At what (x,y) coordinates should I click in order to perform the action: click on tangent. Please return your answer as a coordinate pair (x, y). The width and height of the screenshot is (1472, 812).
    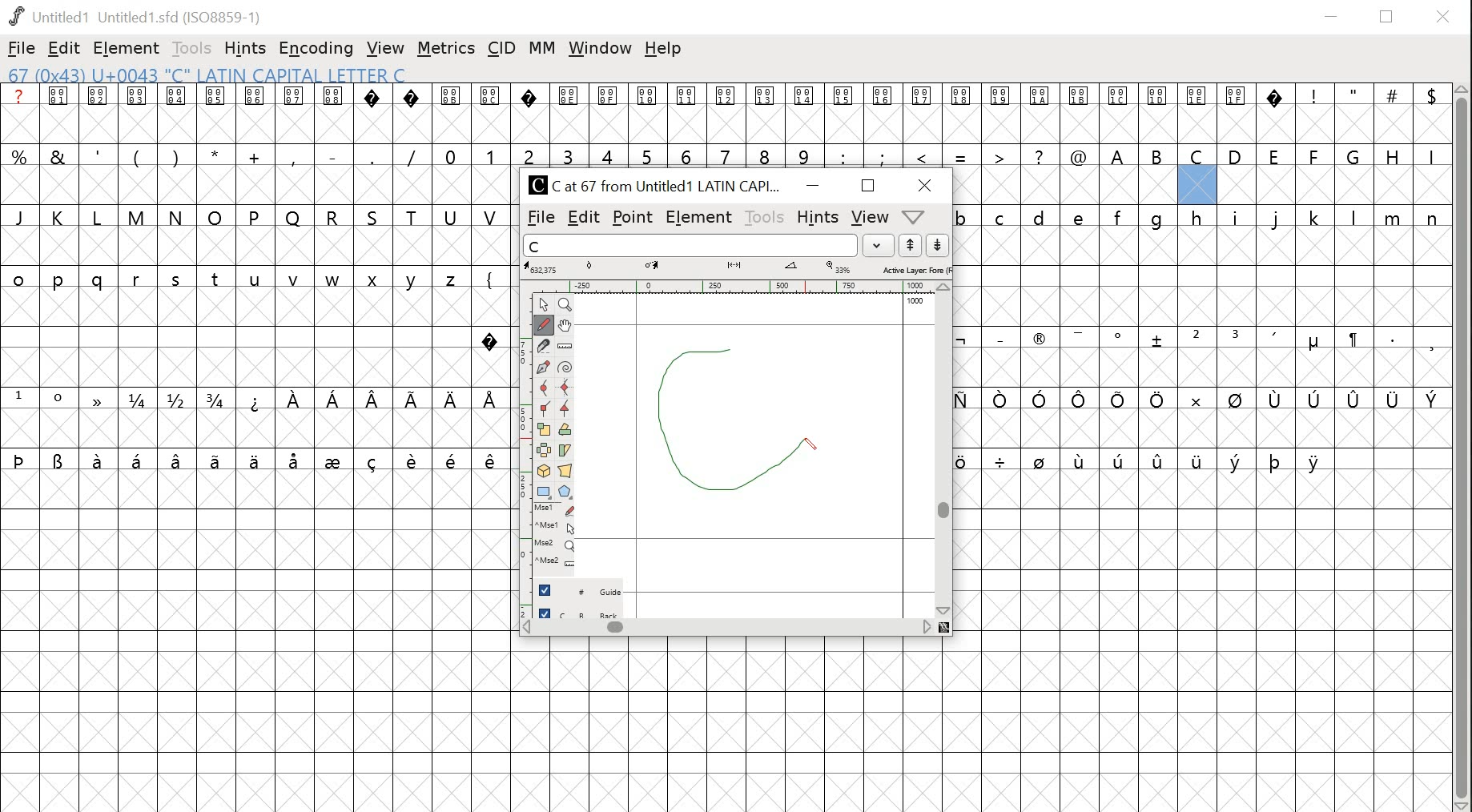
    Looking at the image, I should click on (566, 411).